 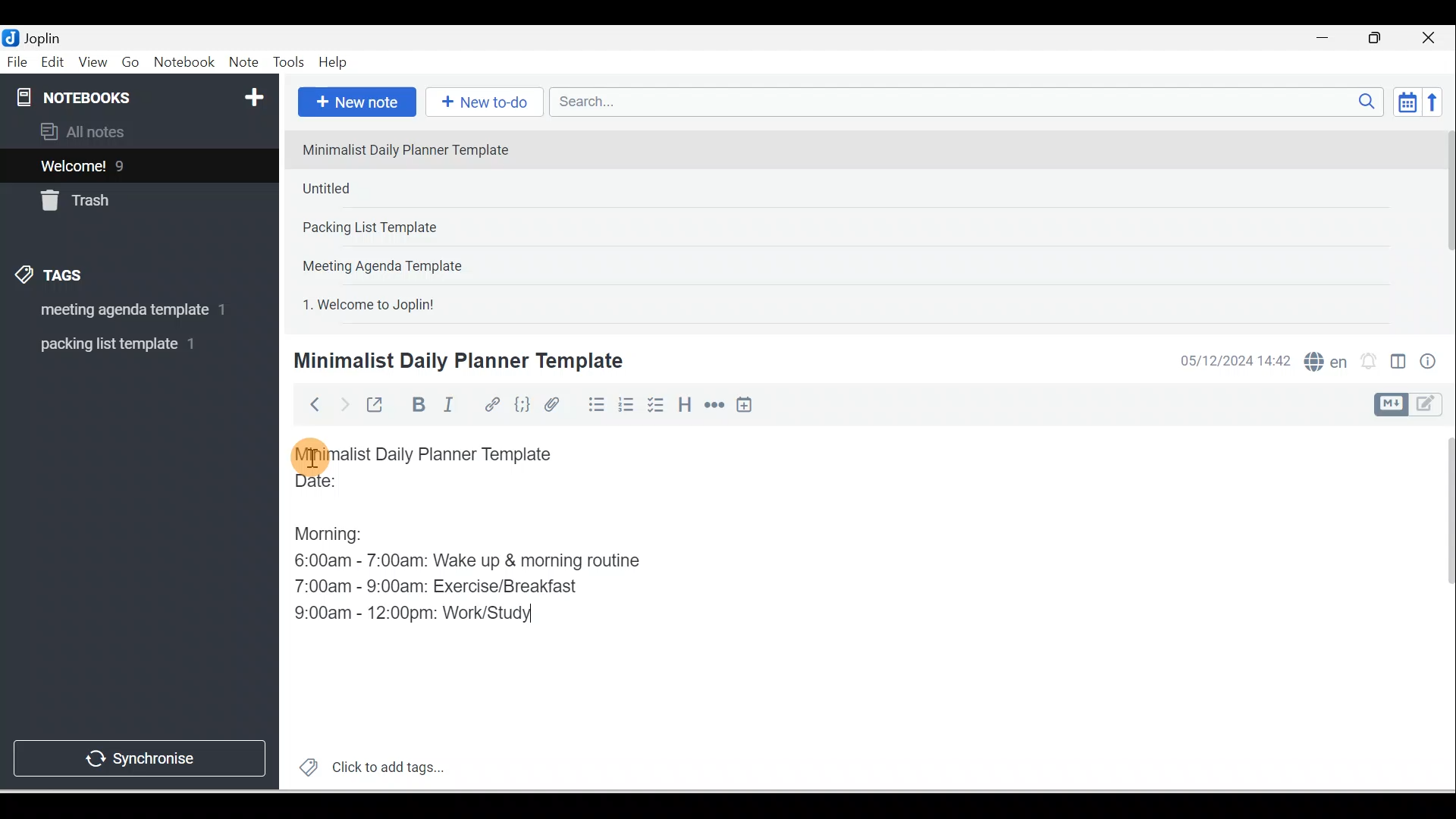 I want to click on Note 2, so click(x=401, y=188).